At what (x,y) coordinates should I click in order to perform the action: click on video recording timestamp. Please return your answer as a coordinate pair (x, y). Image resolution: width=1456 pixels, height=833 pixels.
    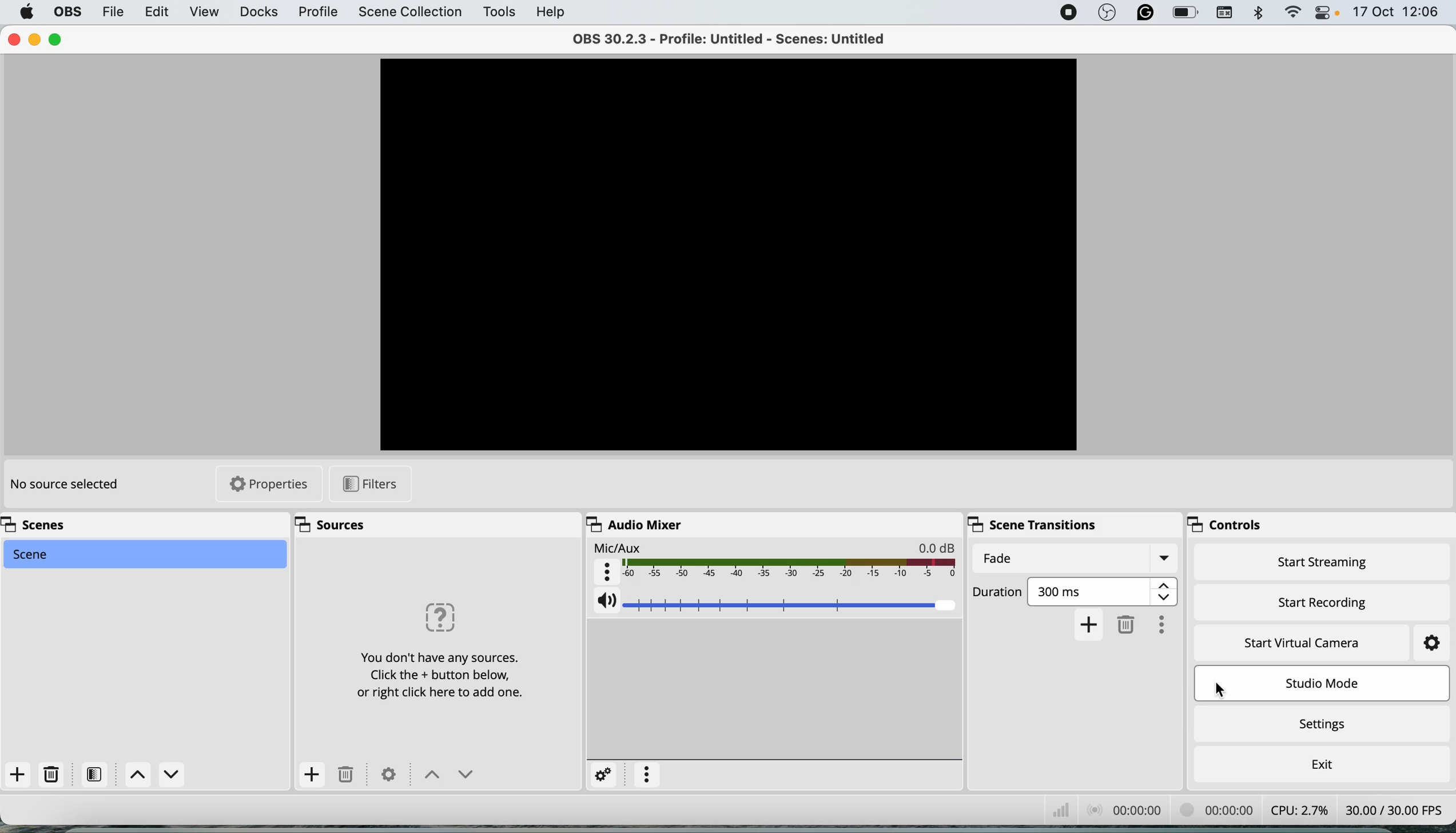
    Looking at the image, I should click on (1212, 810).